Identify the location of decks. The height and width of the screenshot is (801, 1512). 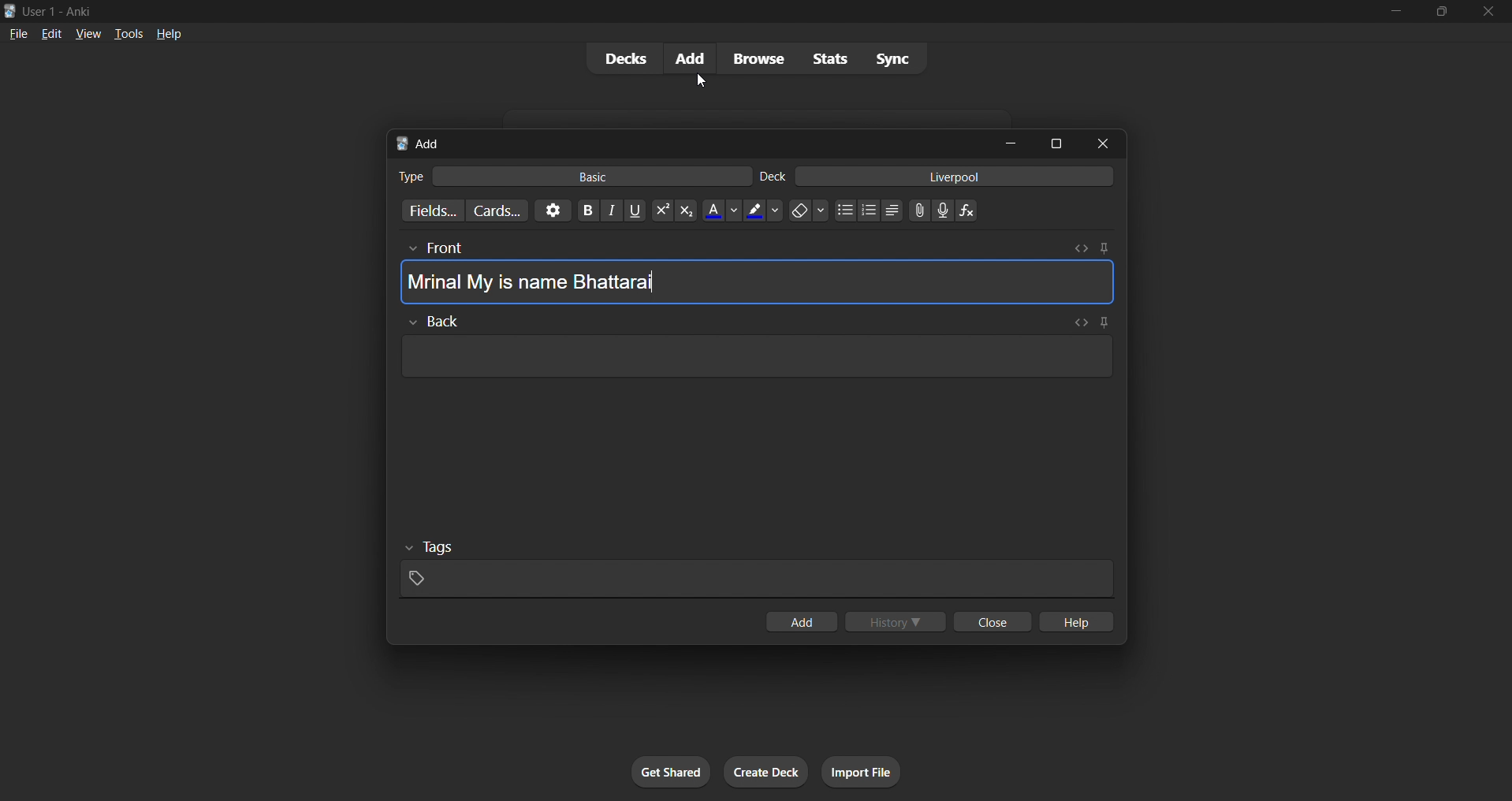
(620, 58).